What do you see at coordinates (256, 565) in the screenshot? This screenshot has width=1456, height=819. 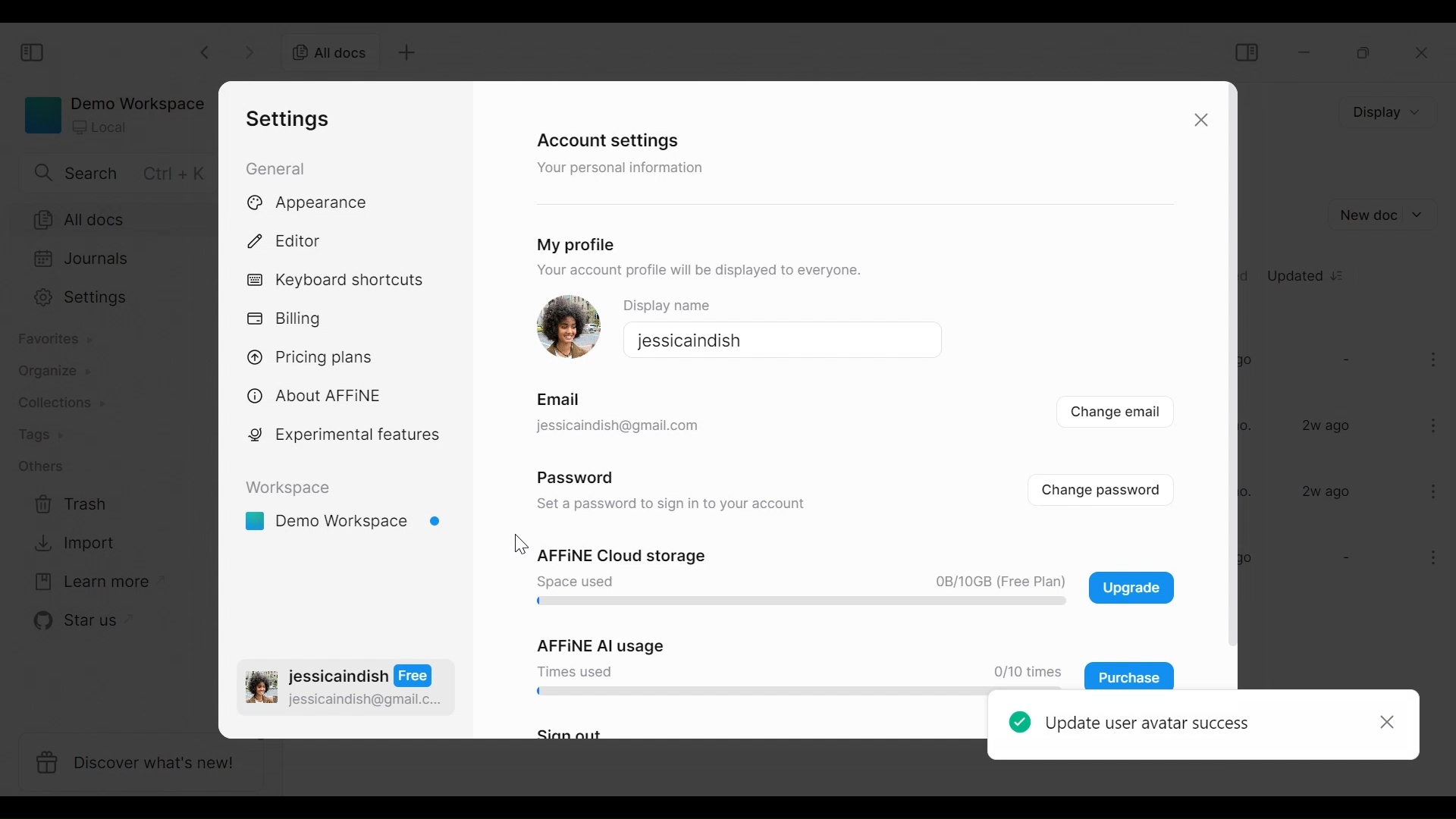 I see `Account` at bounding box center [256, 565].